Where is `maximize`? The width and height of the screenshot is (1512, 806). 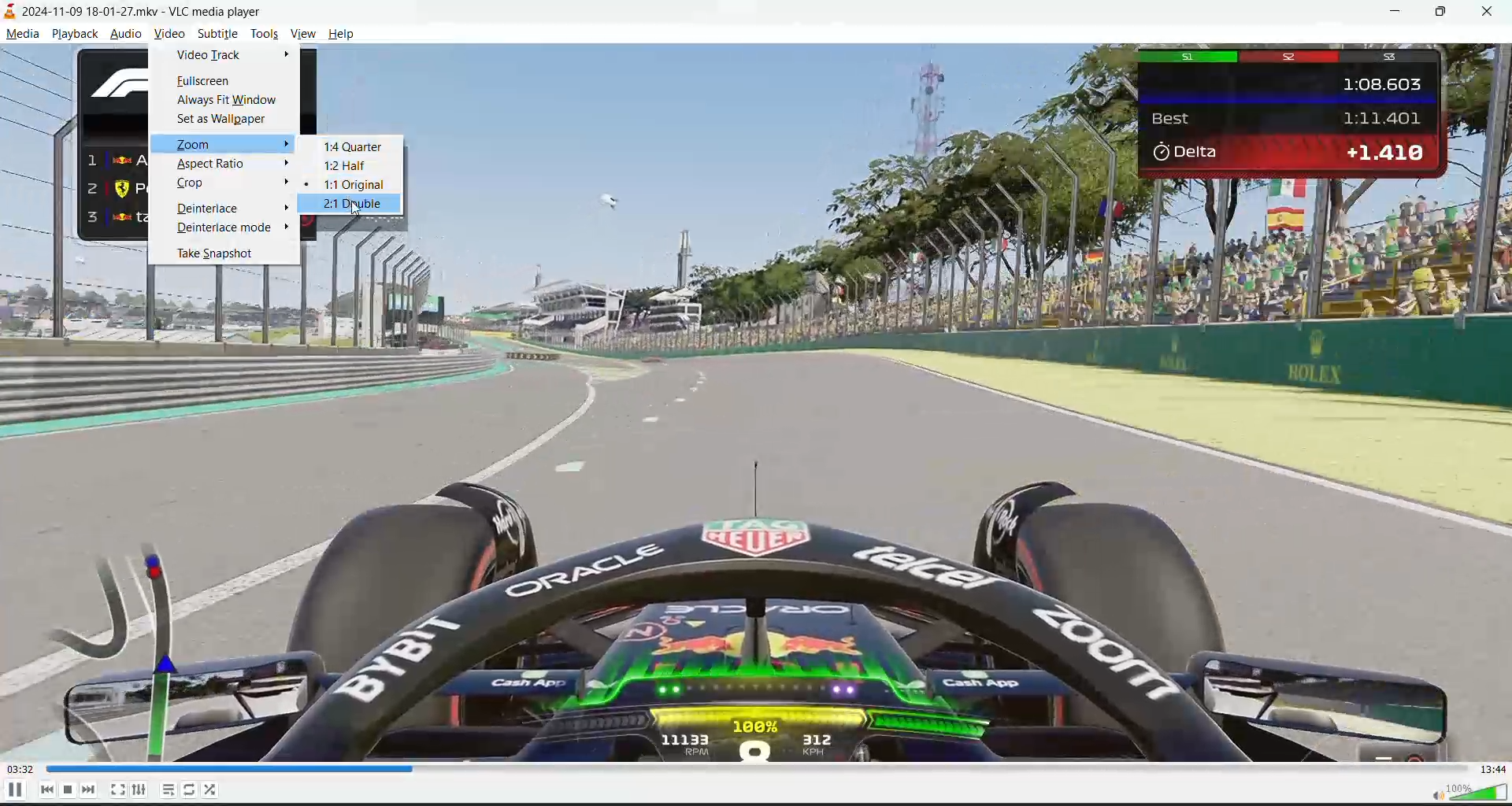 maximize is located at coordinates (1444, 13).